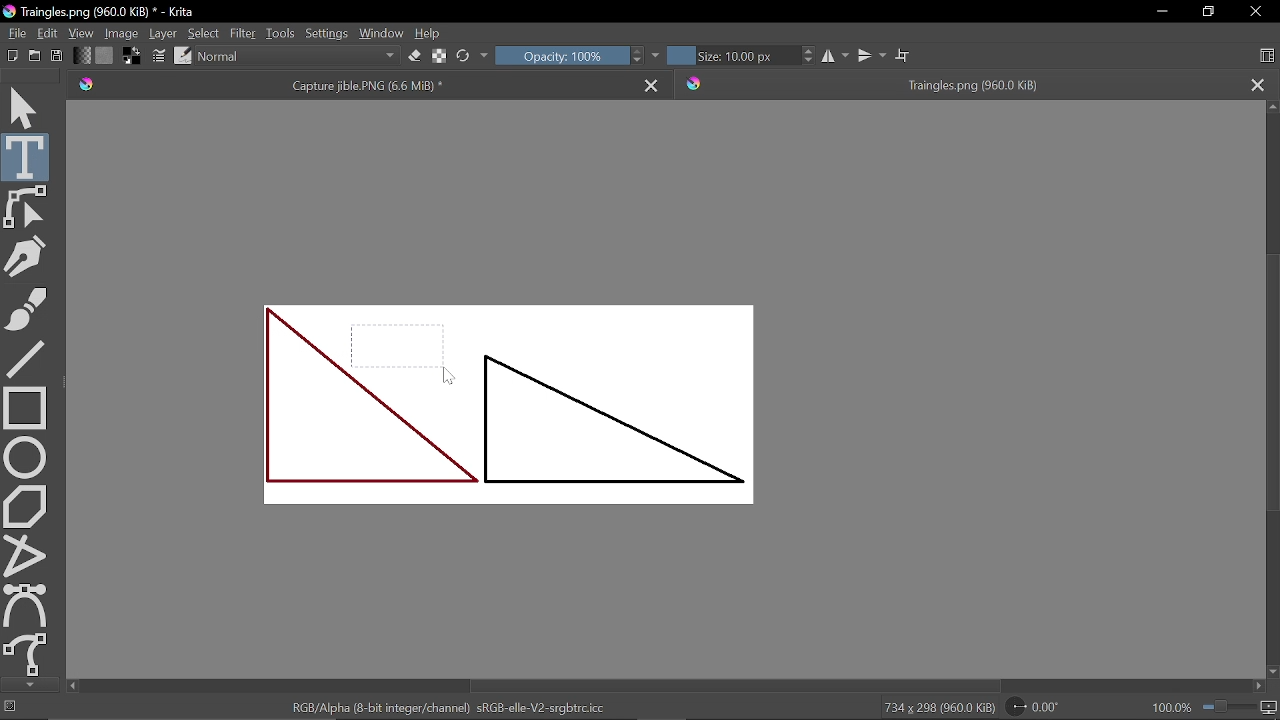 The height and width of the screenshot is (720, 1280). Describe the element at coordinates (1256, 687) in the screenshot. I see `Move right` at that location.